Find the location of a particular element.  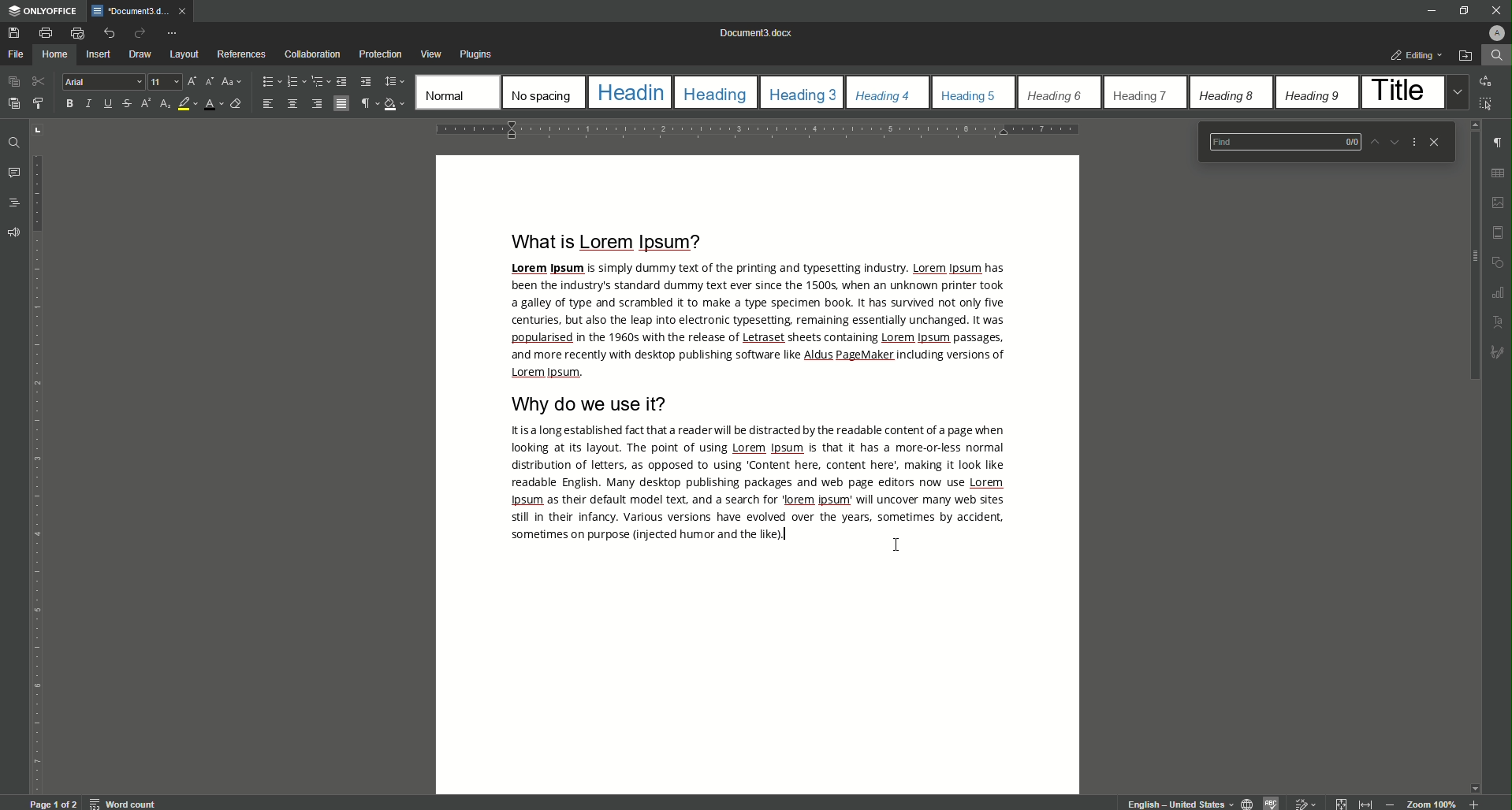

Clear Style is located at coordinates (235, 103).